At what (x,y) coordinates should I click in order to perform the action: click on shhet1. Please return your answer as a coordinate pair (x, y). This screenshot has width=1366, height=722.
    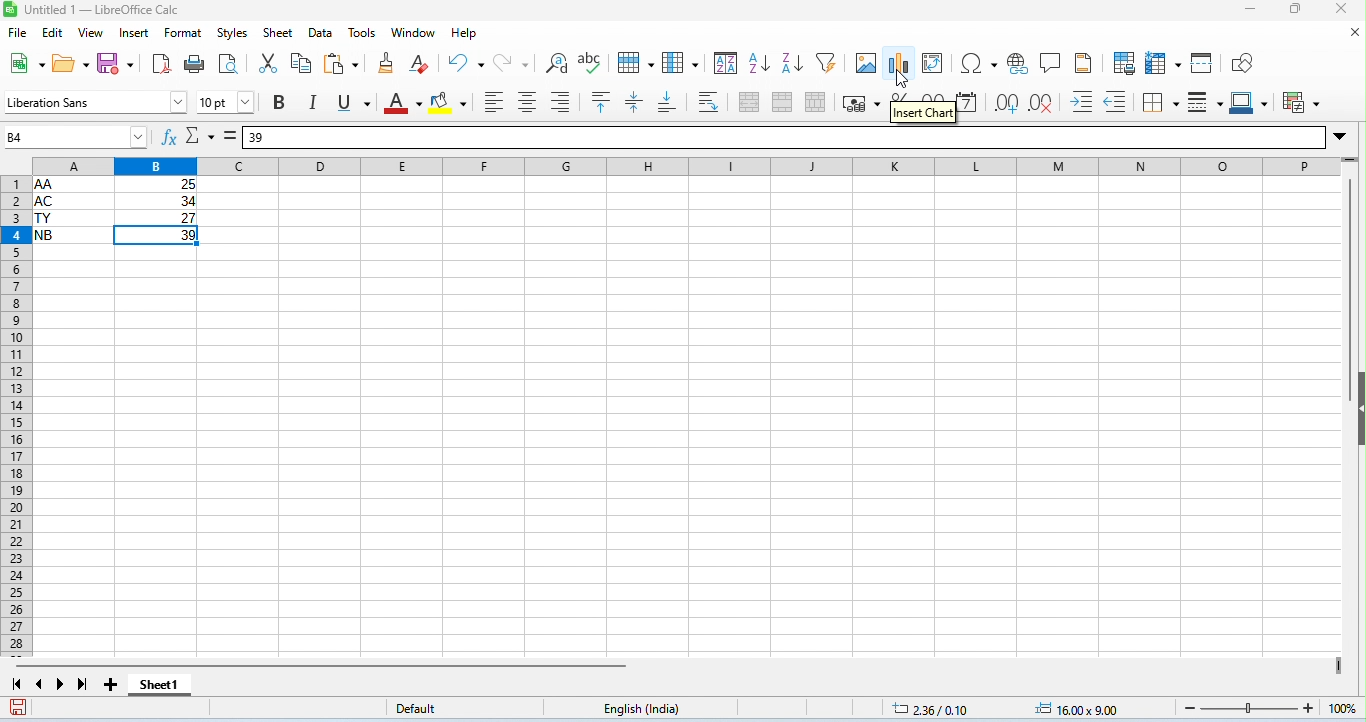
    Looking at the image, I should click on (159, 687).